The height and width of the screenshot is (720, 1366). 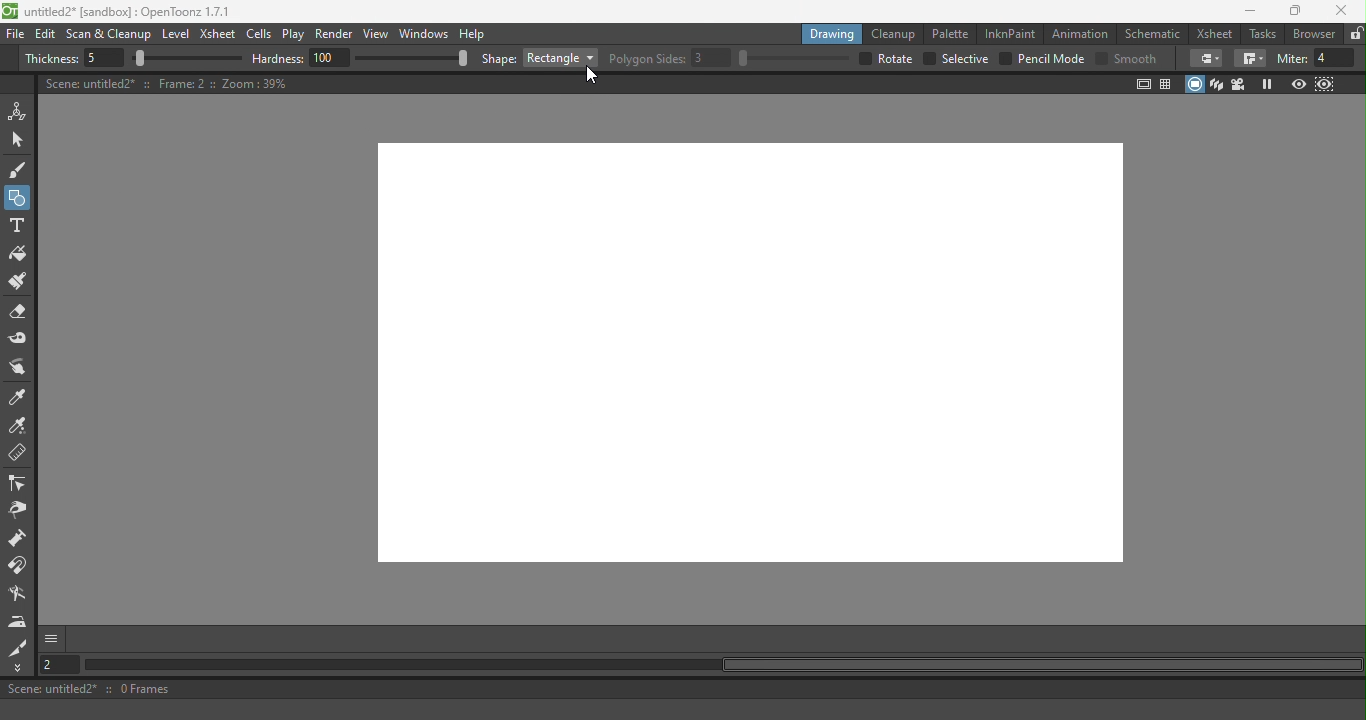 What do you see at coordinates (21, 596) in the screenshot?
I see `Blender tool` at bounding box center [21, 596].